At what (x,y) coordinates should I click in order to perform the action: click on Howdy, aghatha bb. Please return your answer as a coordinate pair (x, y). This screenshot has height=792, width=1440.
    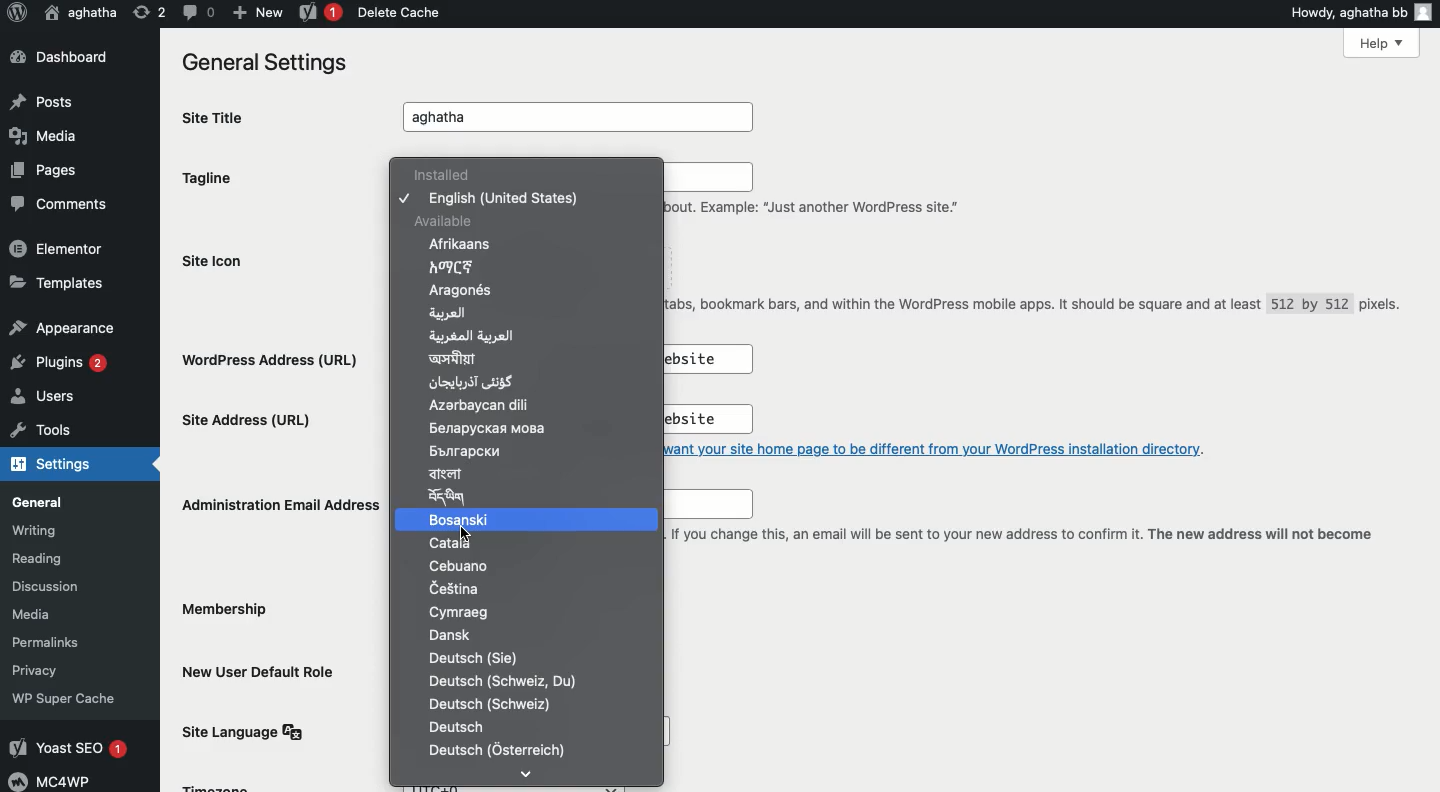
    Looking at the image, I should click on (1360, 11).